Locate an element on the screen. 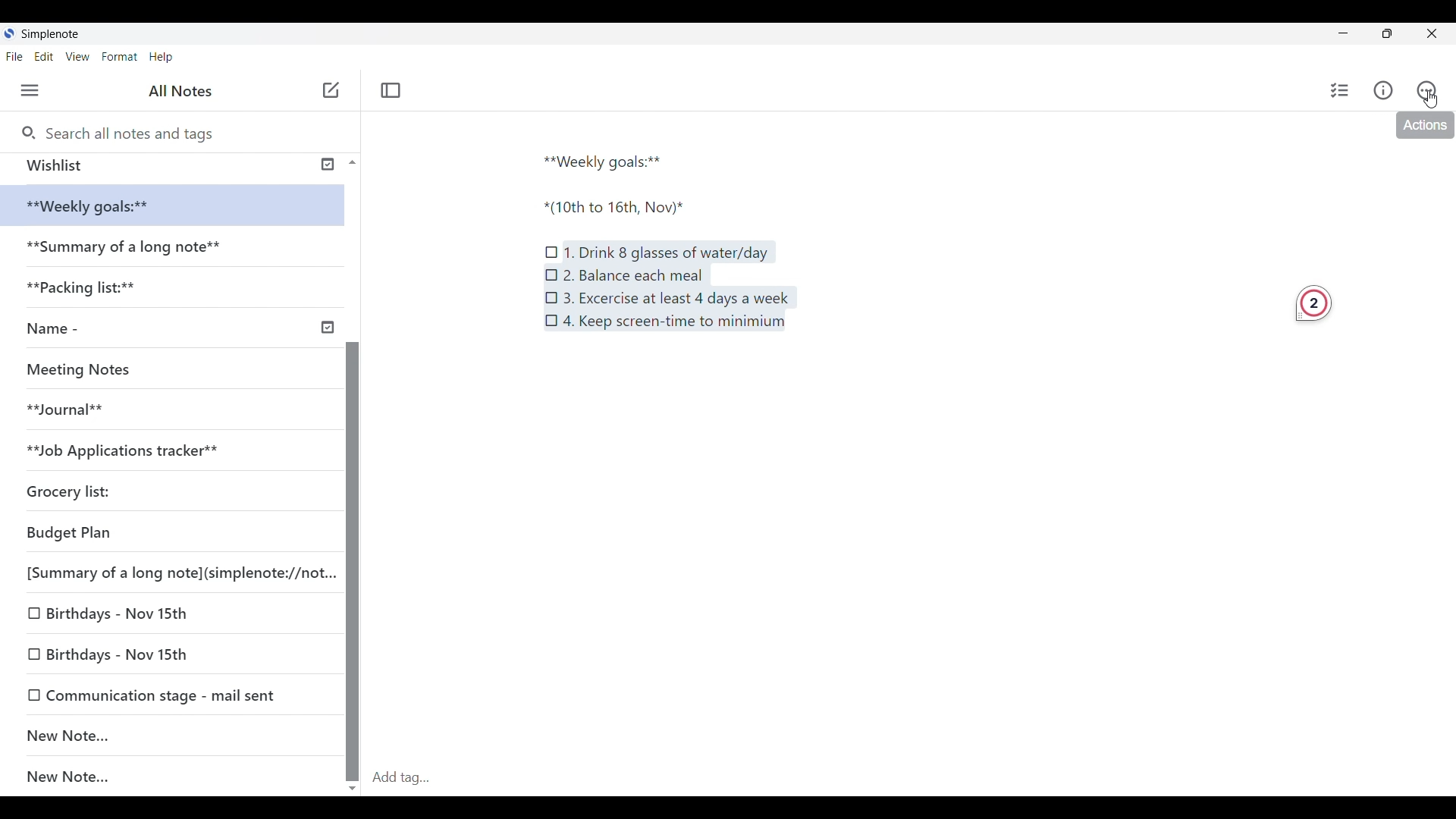 This screenshot has height=819, width=1456. Name is located at coordinates (177, 329).